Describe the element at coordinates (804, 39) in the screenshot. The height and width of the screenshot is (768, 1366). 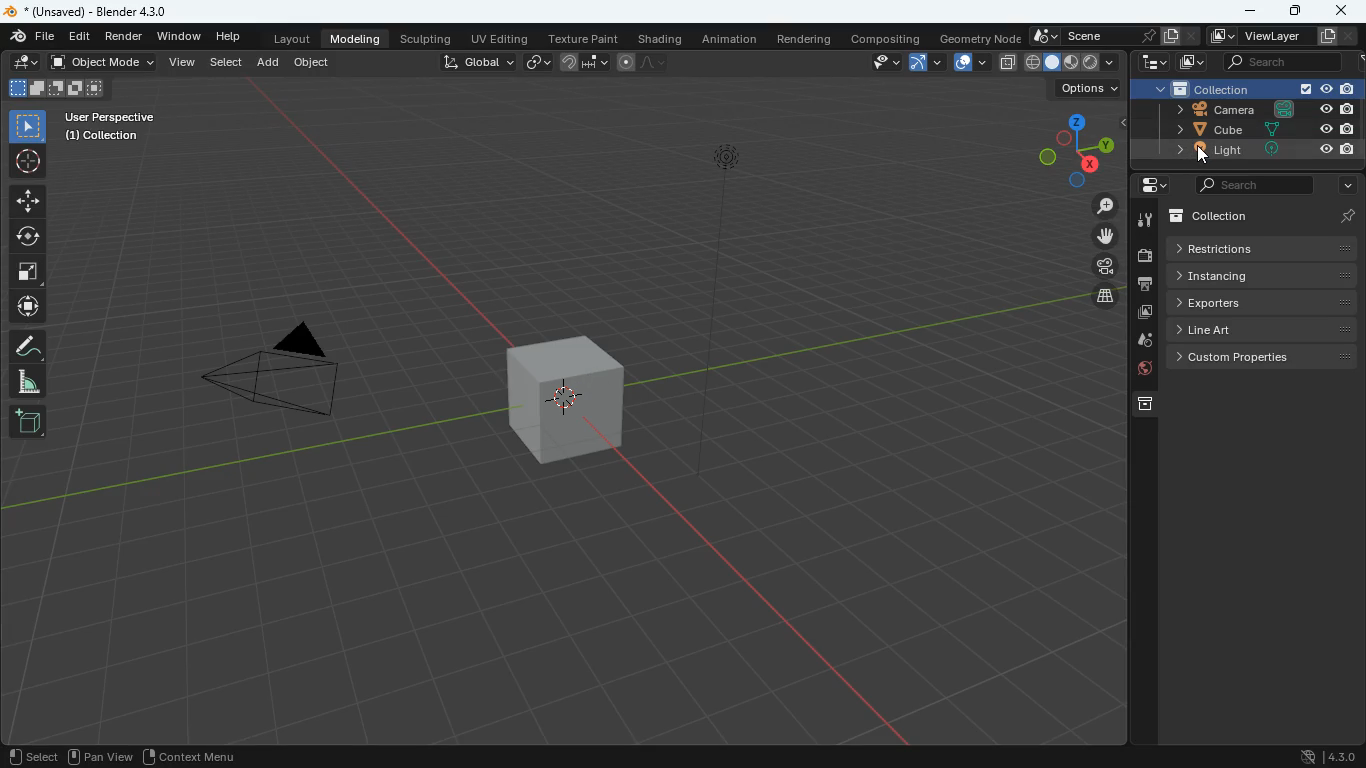
I see `rendering` at that location.